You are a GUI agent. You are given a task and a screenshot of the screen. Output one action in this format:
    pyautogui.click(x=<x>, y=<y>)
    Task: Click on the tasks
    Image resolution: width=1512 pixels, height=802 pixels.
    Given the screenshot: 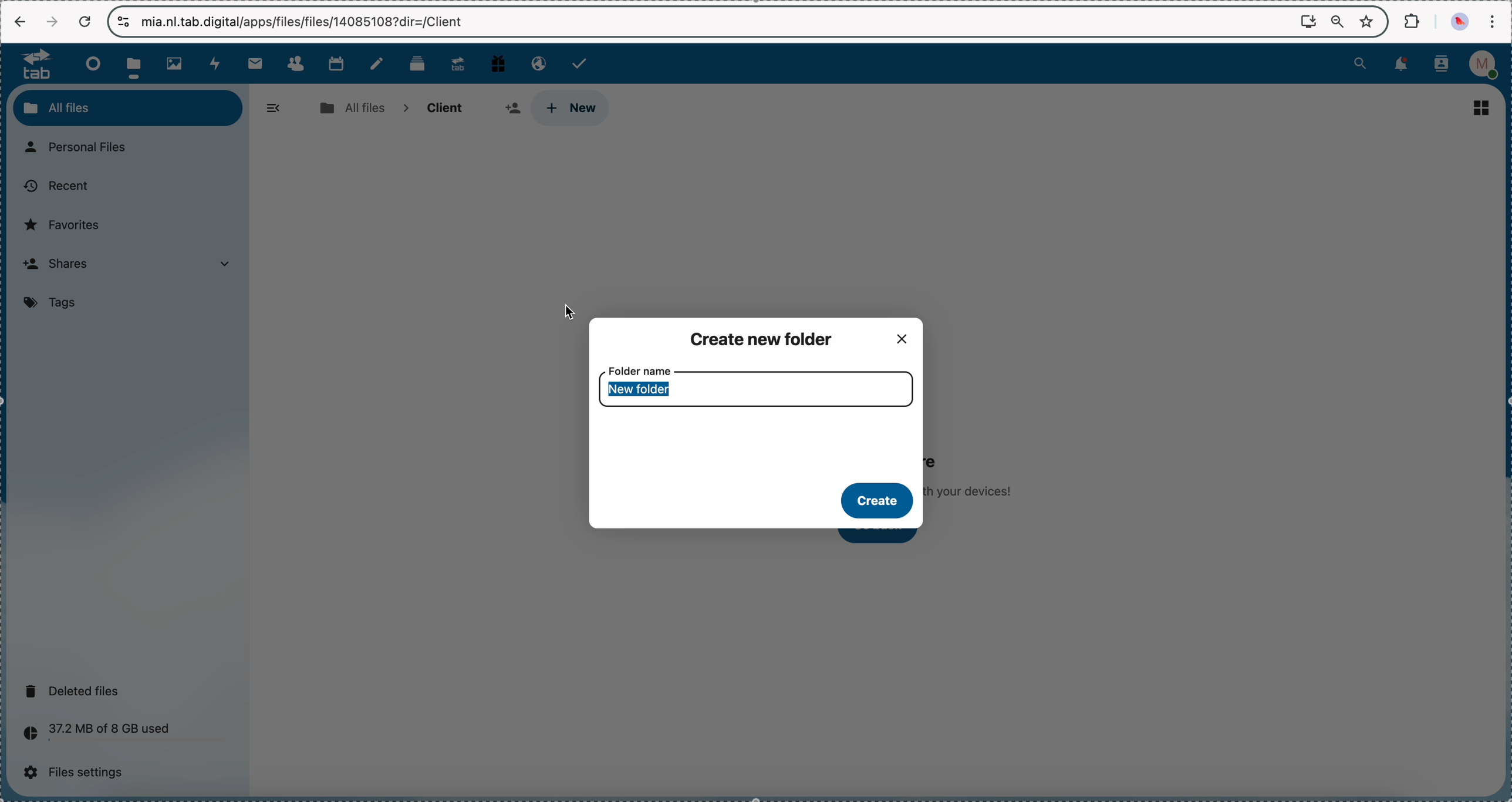 What is the action you would take?
    pyautogui.click(x=581, y=63)
    